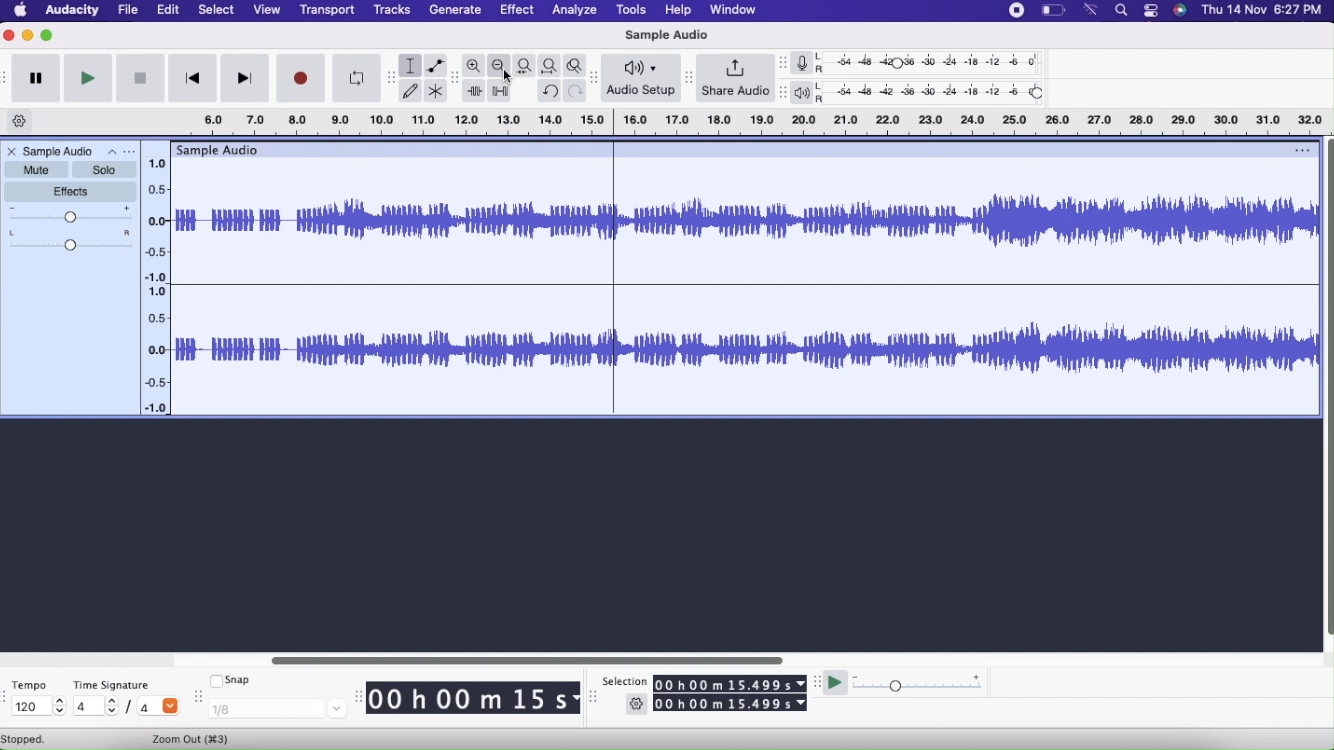  What do you see at coordinates (71, 216) in the screenshot?
I see `Gain Slider` at bounding box center [71, 216].